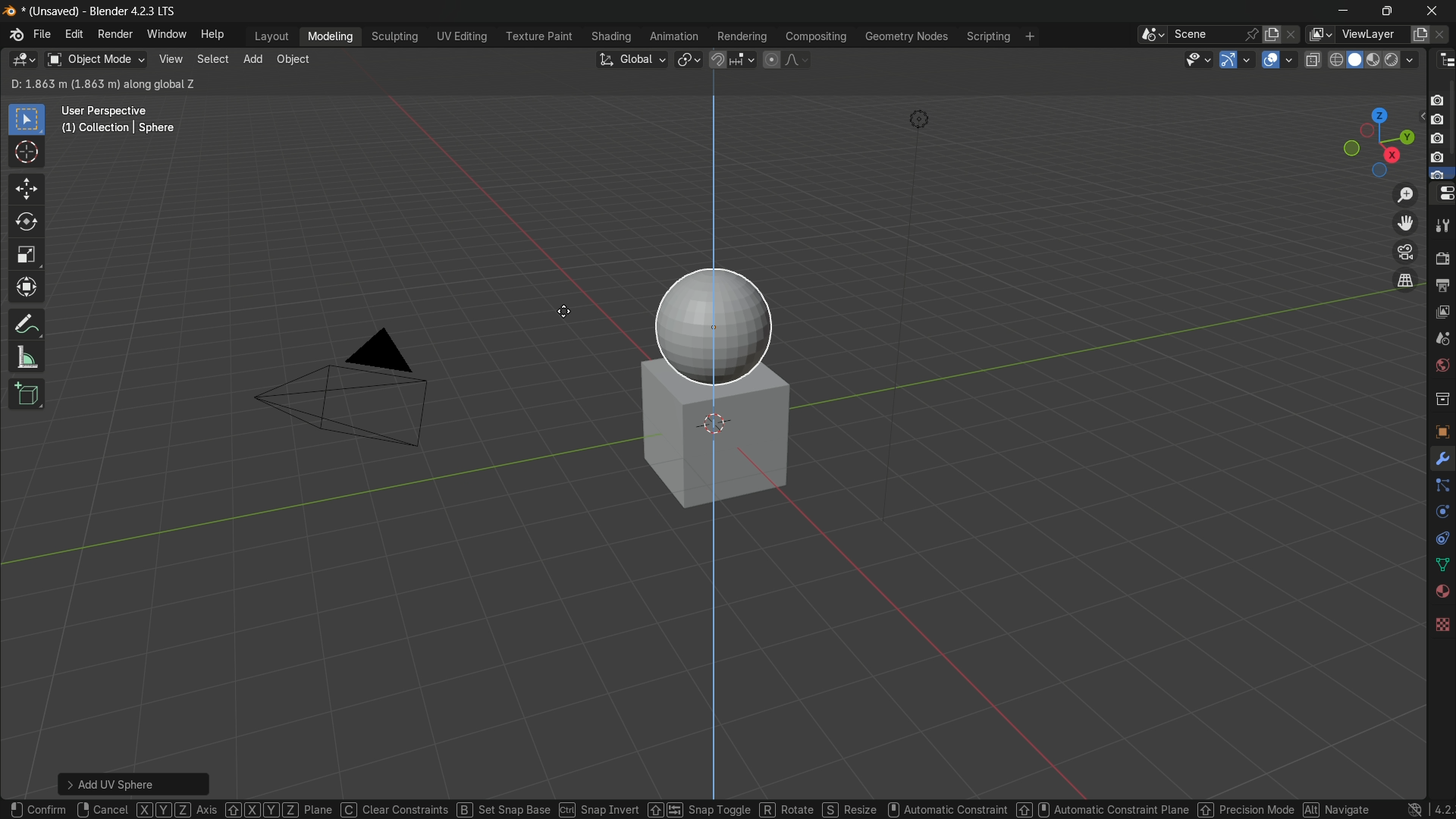 This screenshot has height=819, width=1456. I want to click on close app, so click(1435, 11).